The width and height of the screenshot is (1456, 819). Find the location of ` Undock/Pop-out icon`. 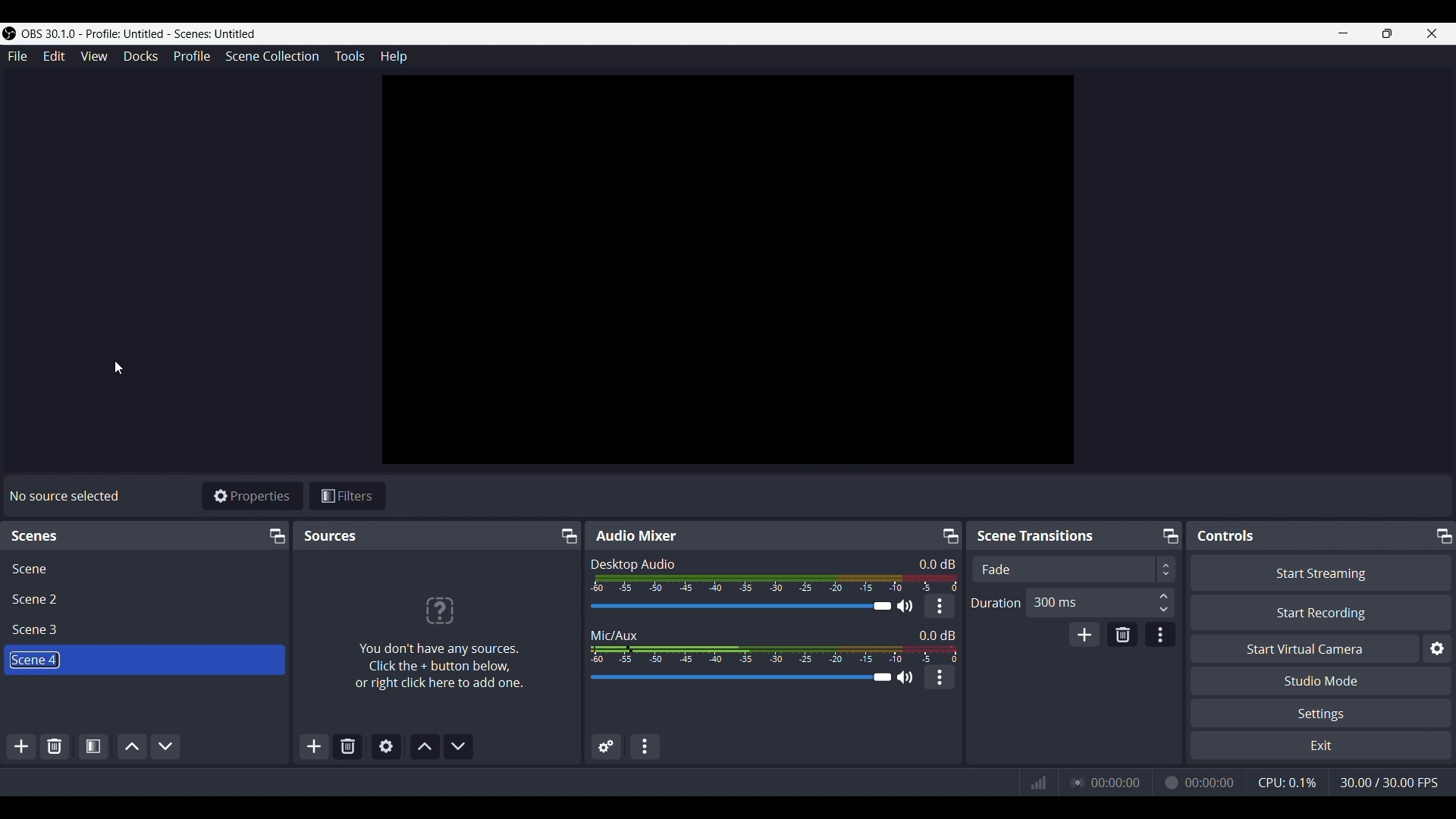

 Undock/Pop-out icon is located at coordinates (1442, 534).